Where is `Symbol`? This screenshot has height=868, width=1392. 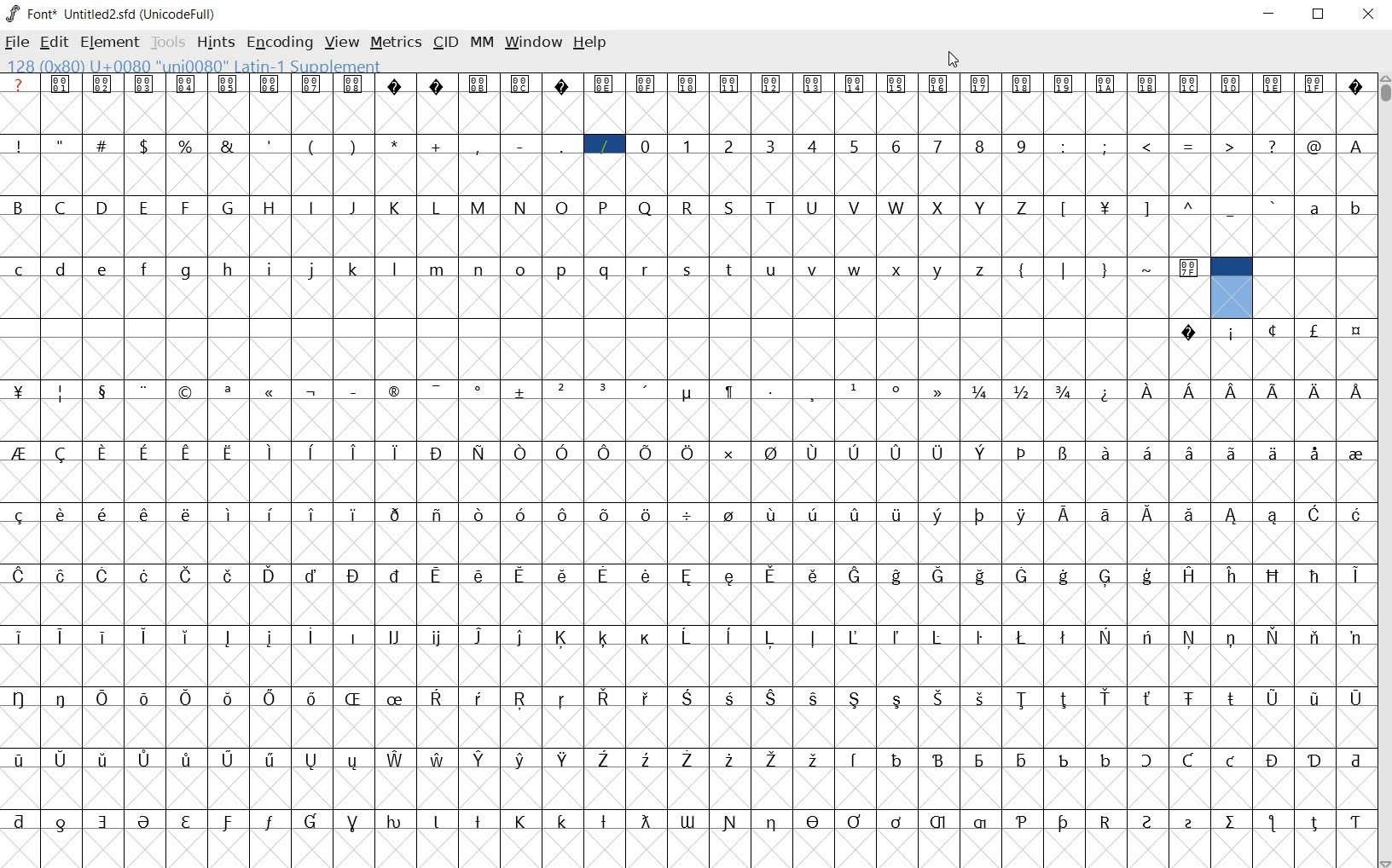 Symbol is located at coordinates (106, 697).